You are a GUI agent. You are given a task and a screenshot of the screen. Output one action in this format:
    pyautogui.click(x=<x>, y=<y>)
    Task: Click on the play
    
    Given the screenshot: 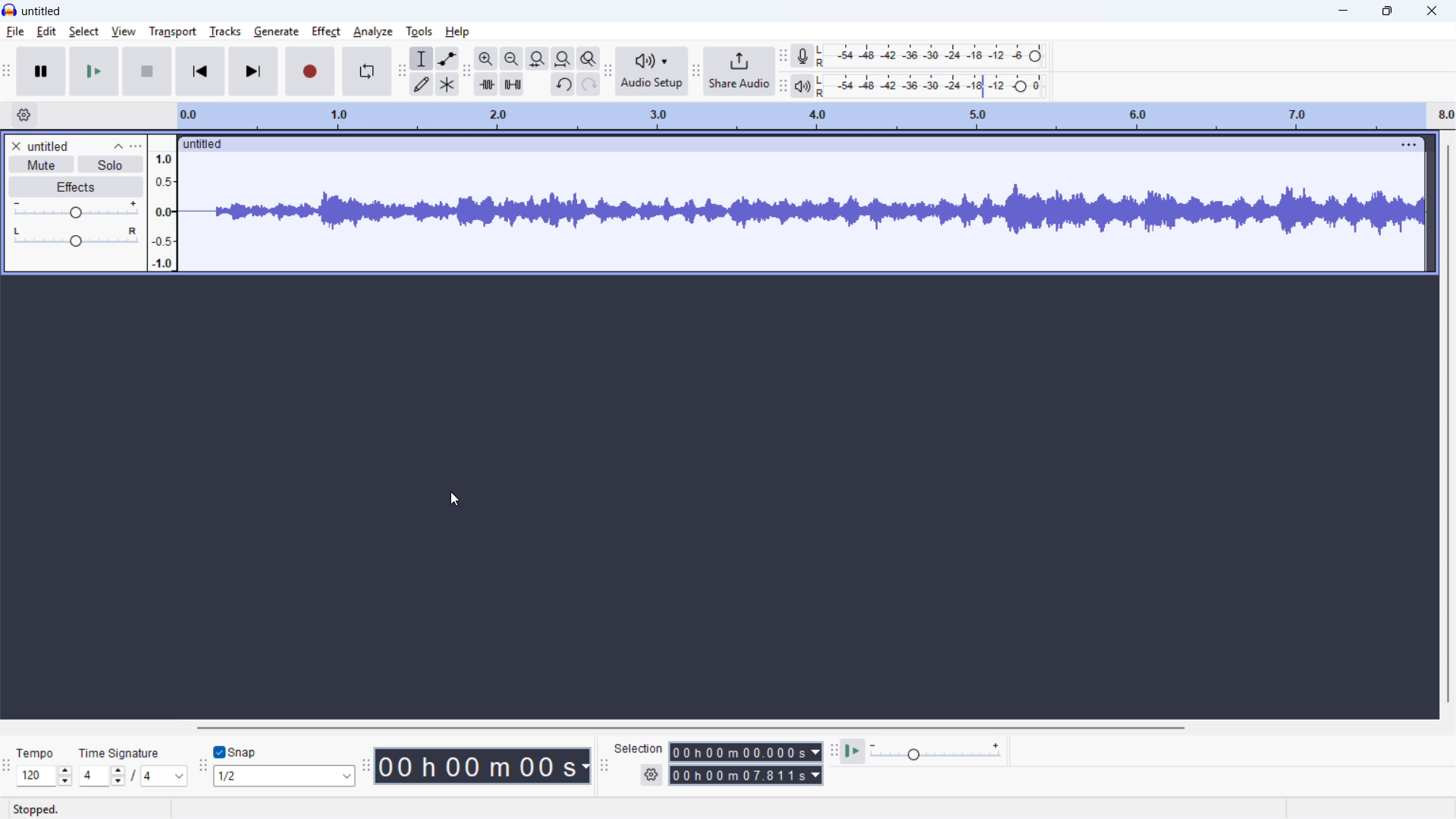 What is the action you would take?
    pyautogui.click(x=95, y=71)
    